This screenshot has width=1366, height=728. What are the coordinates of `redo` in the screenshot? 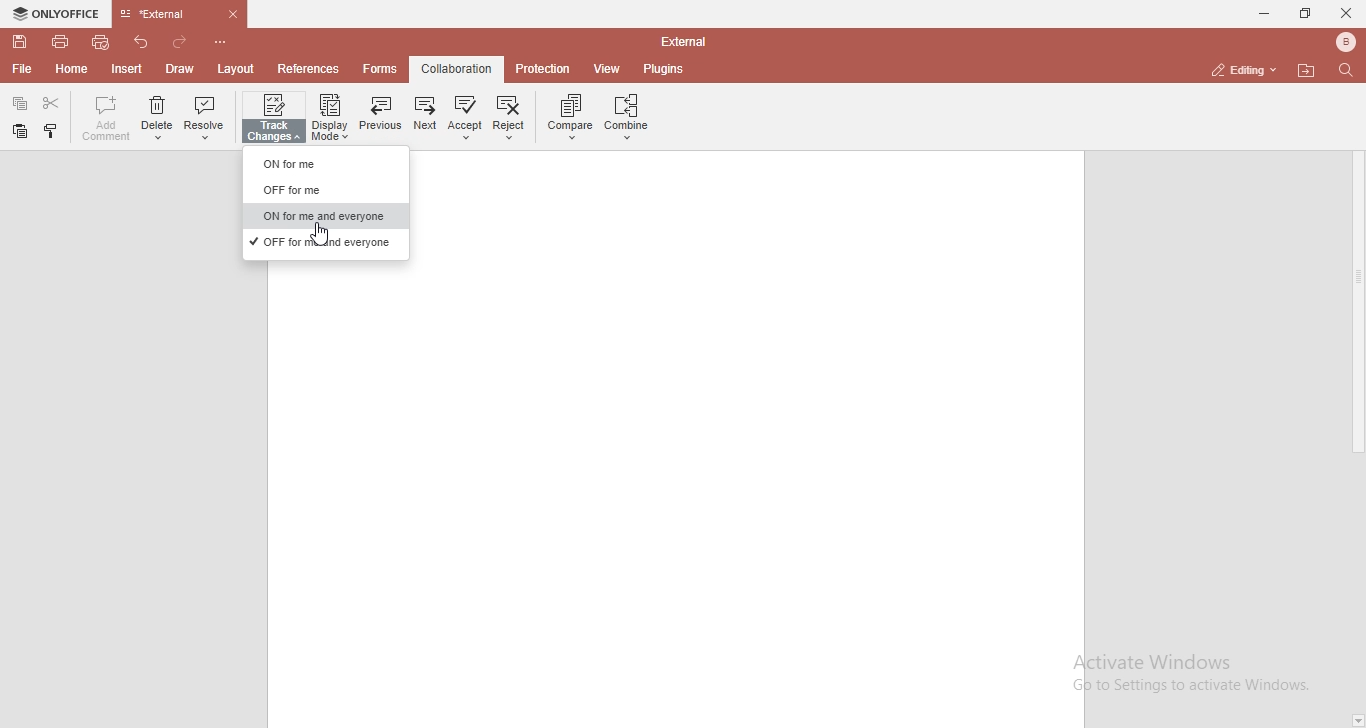 It's located at (180, 42).